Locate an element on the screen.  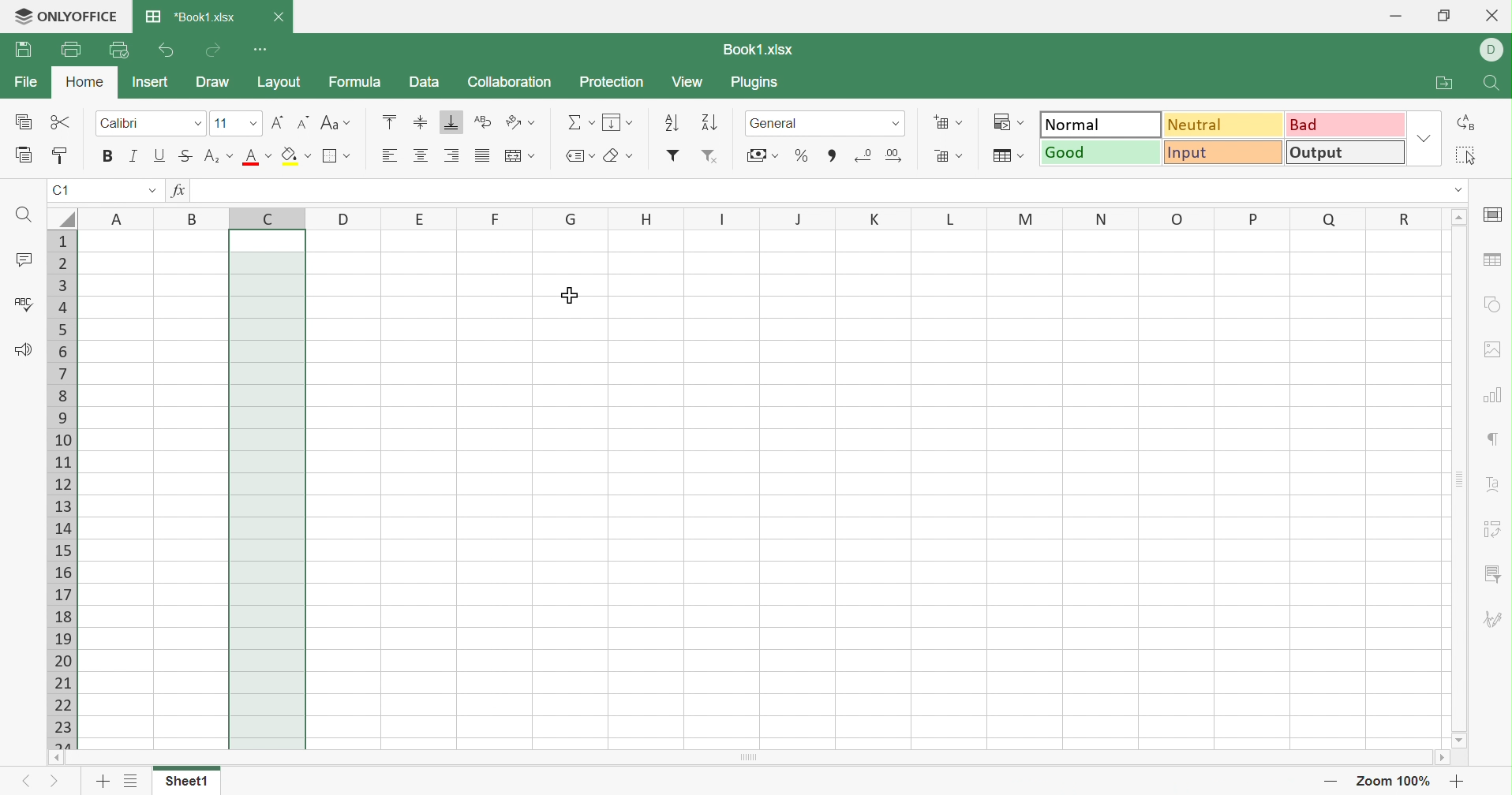
Undo is located at coordinates (165, 49).